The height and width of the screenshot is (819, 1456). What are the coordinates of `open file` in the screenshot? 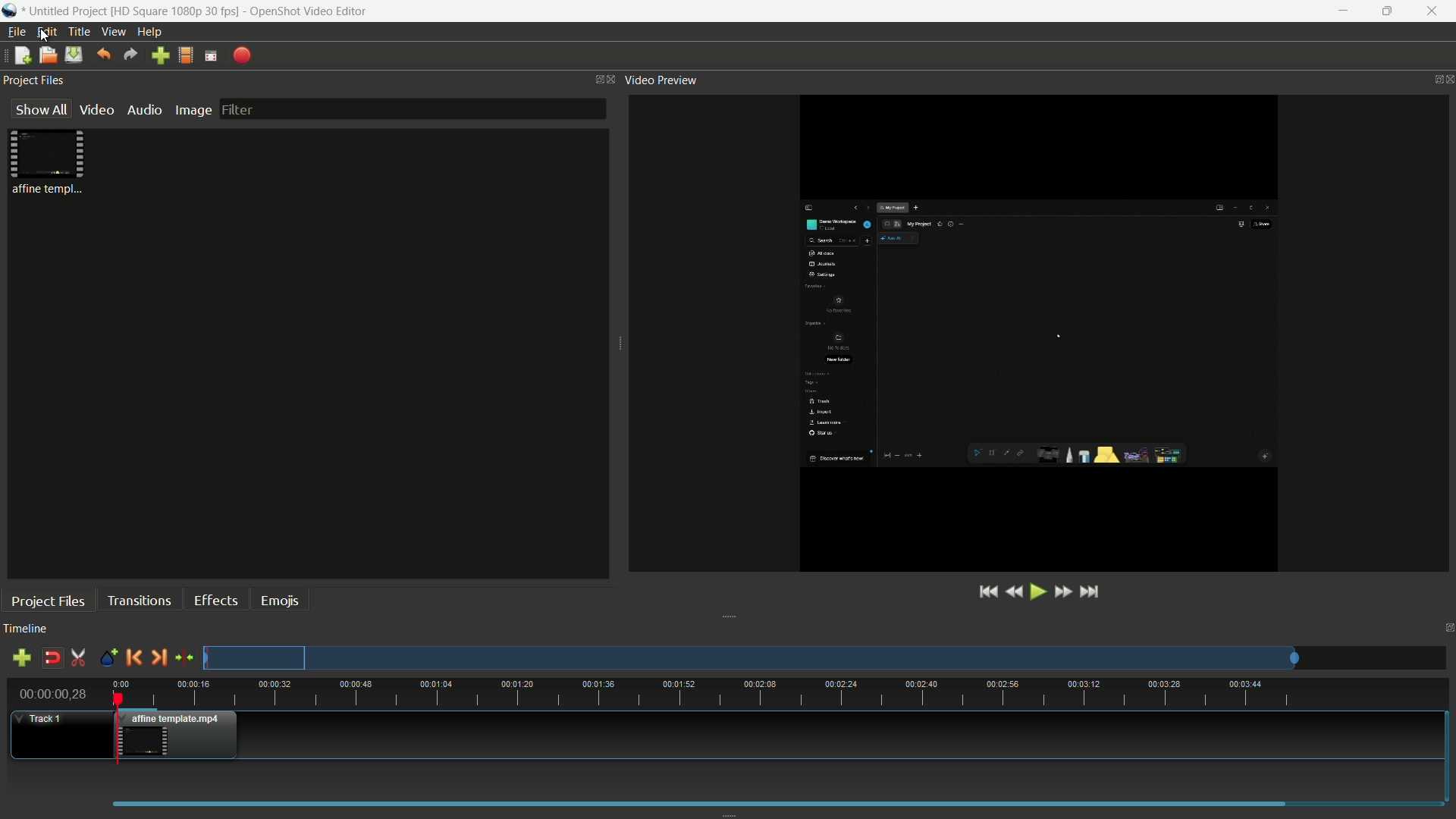 It's located at (48, 55).